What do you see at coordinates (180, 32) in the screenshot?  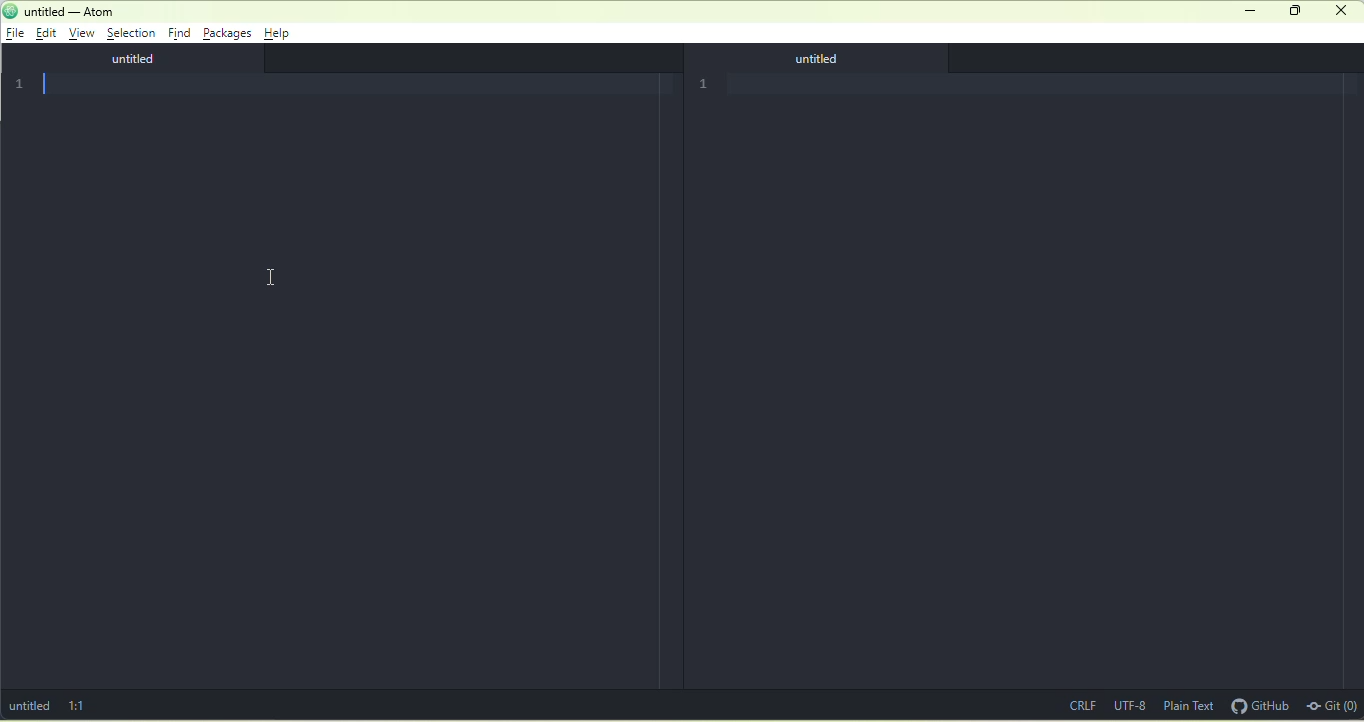 I see `find` at bounding box center [180, 32].